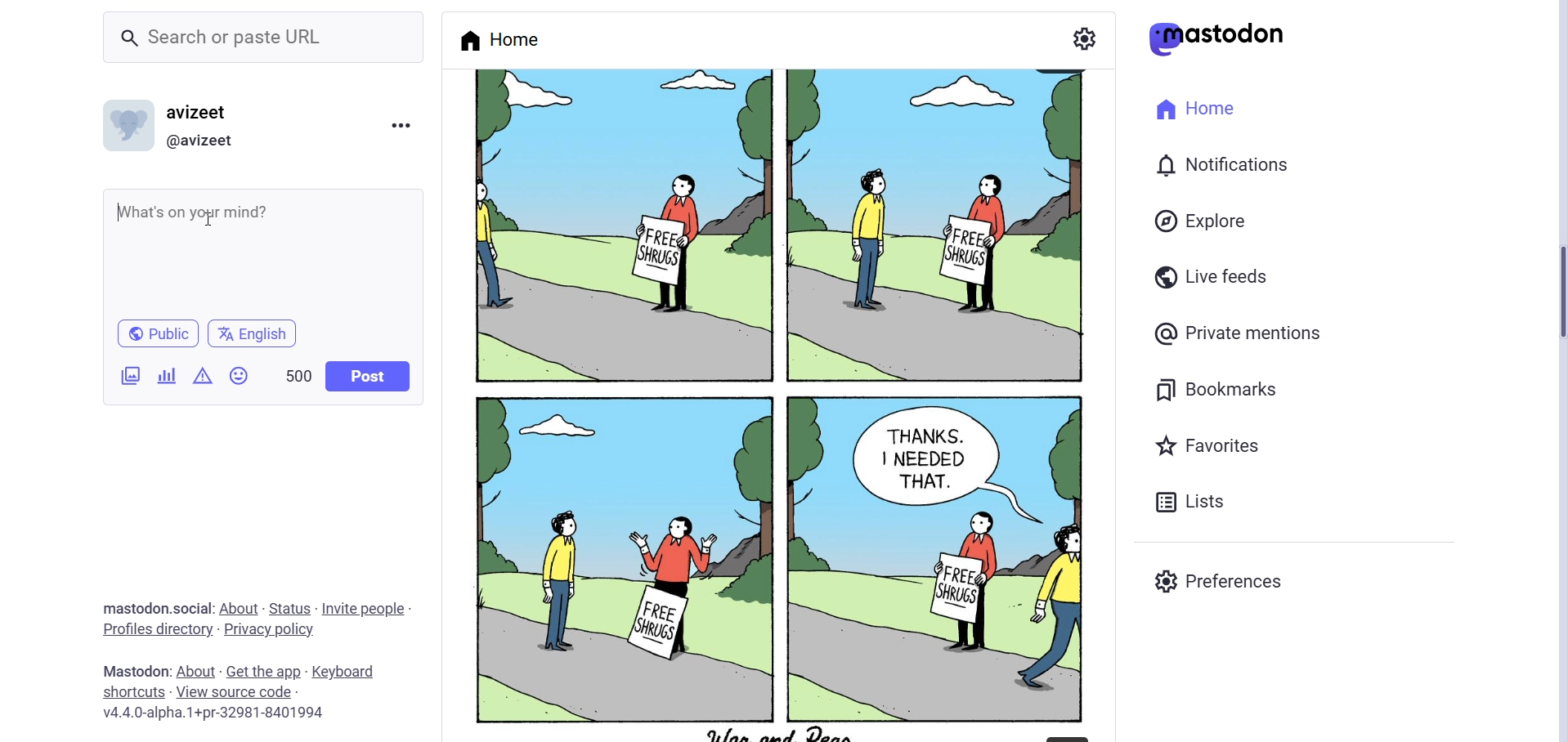 The height and width of the screenshot is (742, 1568). Describe the element at coordinates (194, 671) in the screenshot. I see `About` at that location.